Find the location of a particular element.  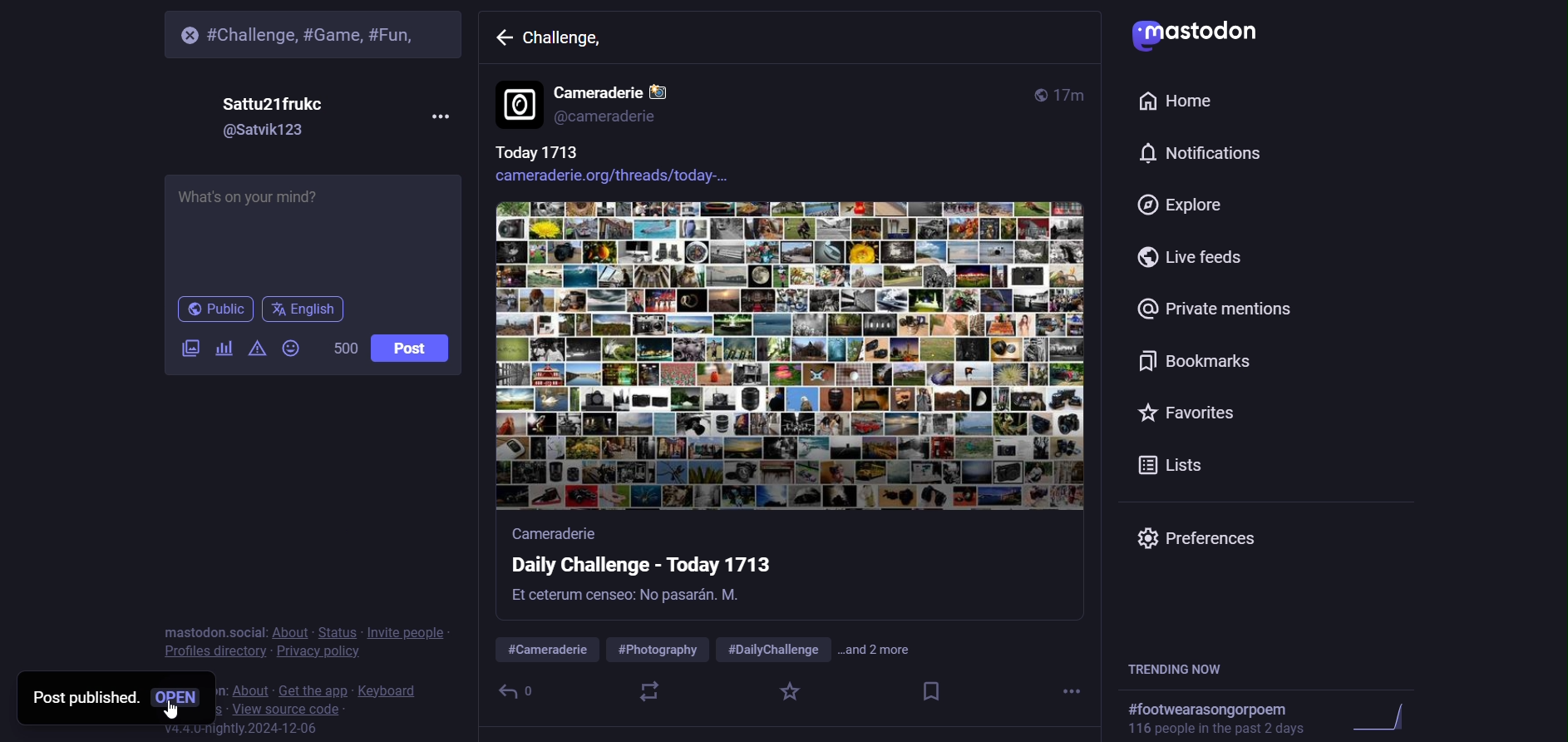

about is located at coordinates (248, 686).